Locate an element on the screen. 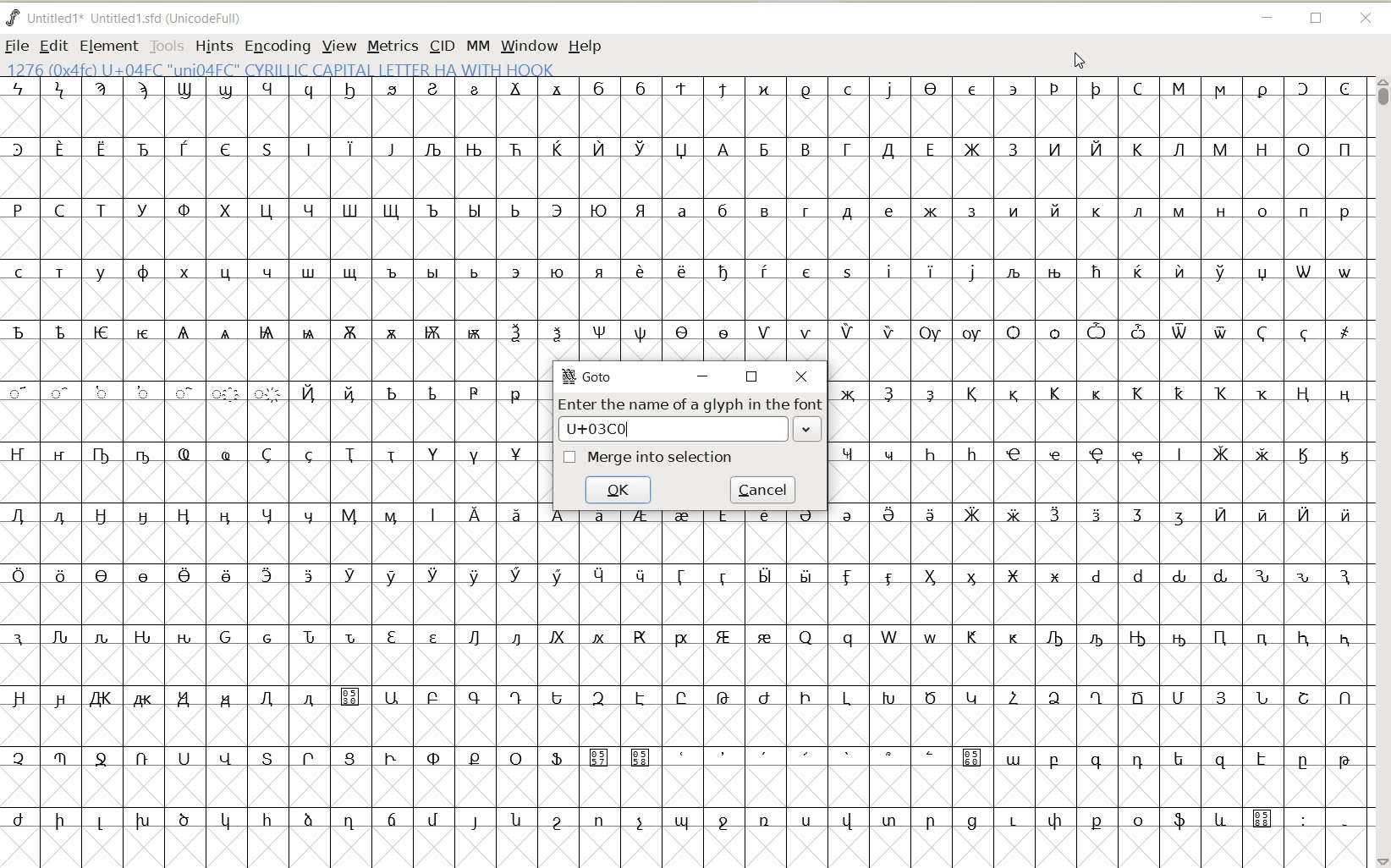  FILE is located at coordinates (16, 46).